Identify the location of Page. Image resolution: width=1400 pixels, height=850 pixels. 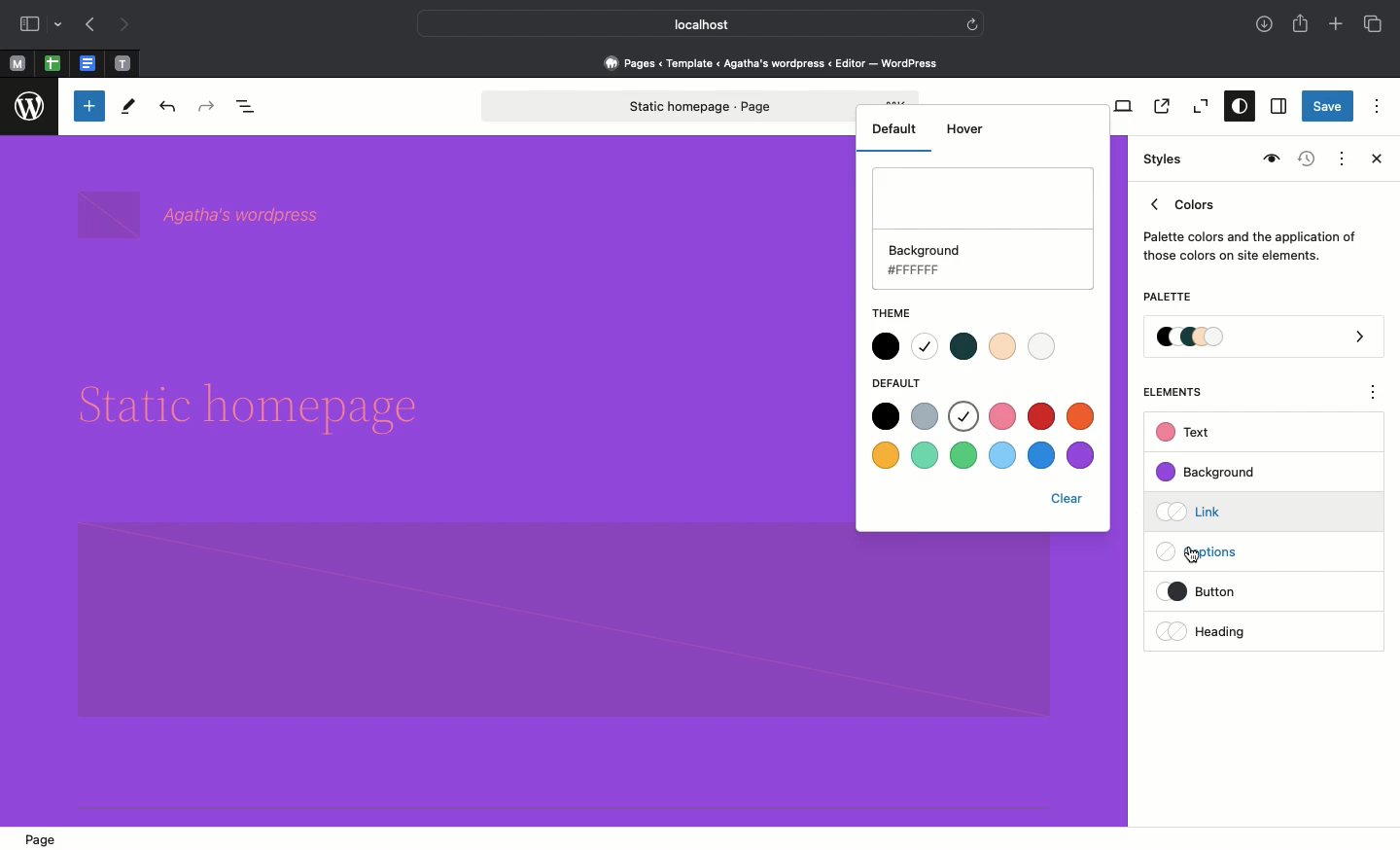
(668, 106).